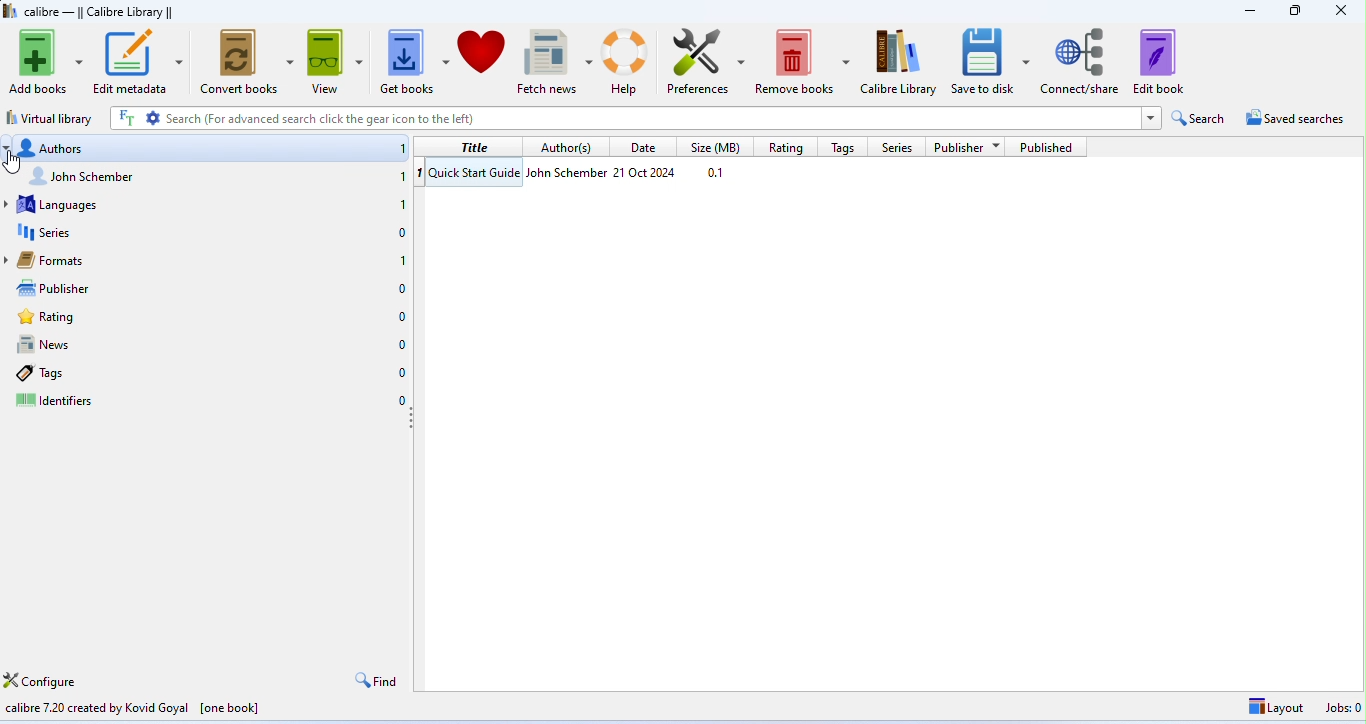  What do you see at coordinates (1294, 118) in the screenshot?
I see `saved searches` at bounding box center [1294, 118].